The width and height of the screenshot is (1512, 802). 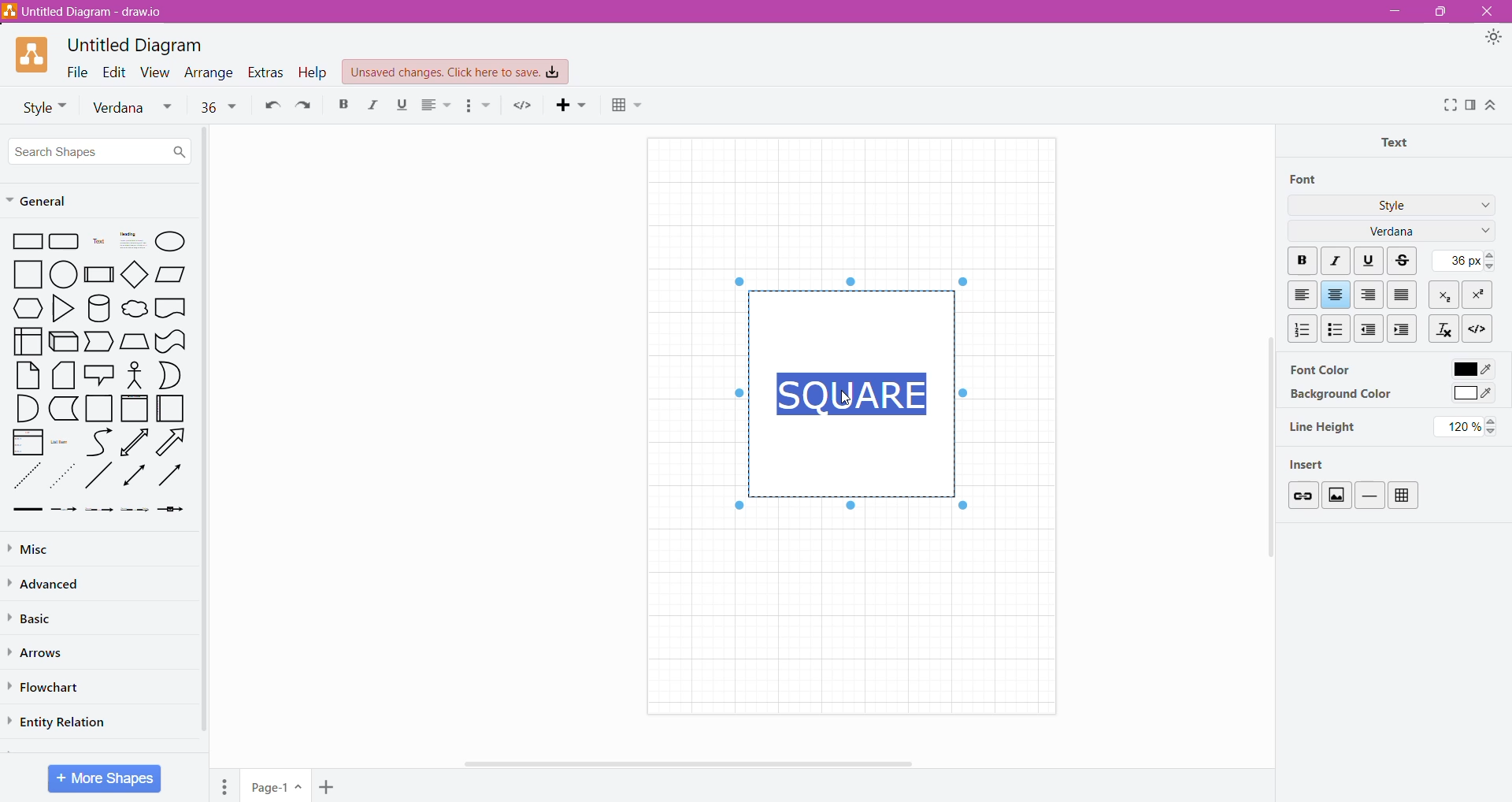 What do you see at coordinates (45, 202) in the screenshot?
I see `General` at bounding box center [45, 202].